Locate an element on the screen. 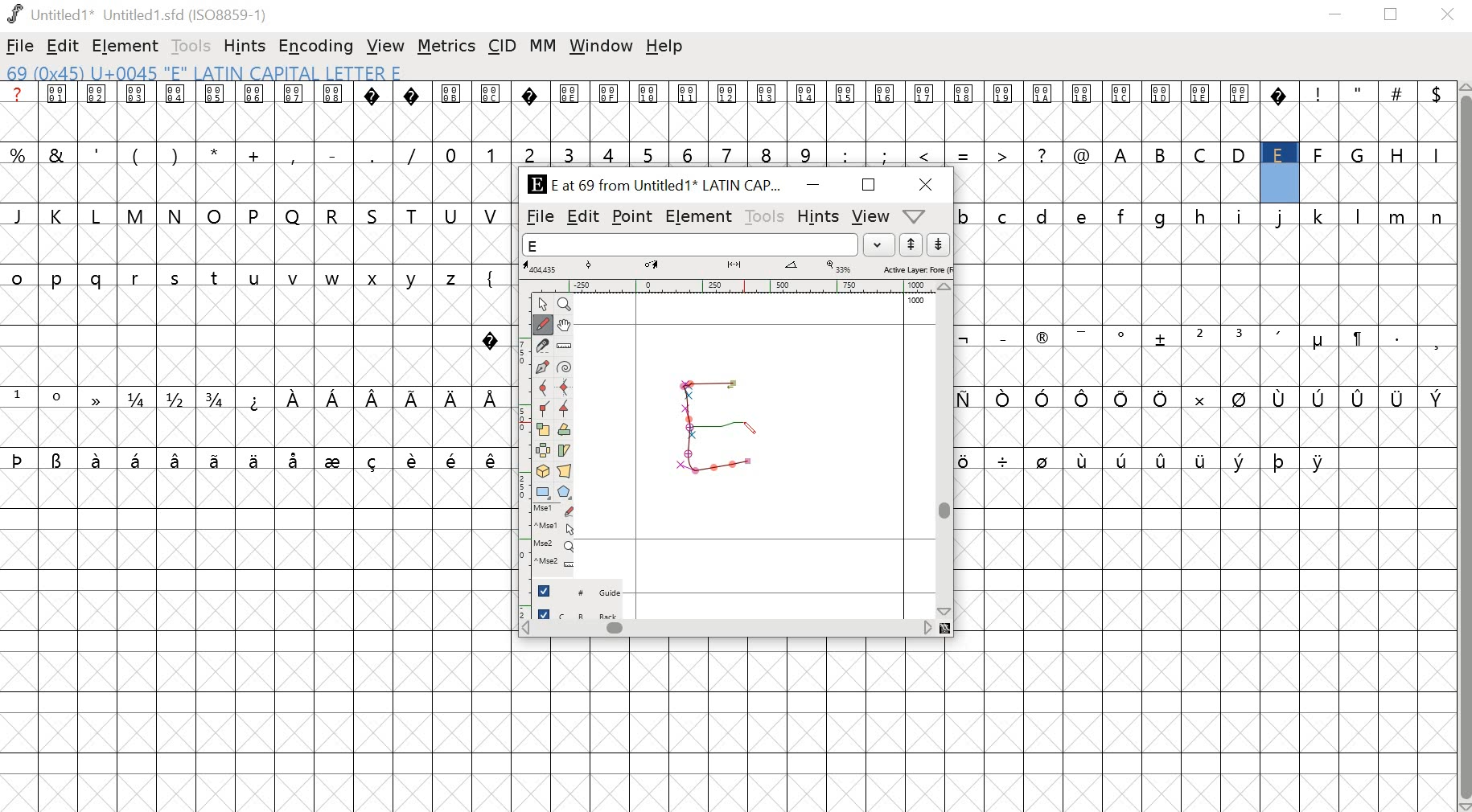 The image size is (1472, 812). close is located at coordinates (1448, 15).